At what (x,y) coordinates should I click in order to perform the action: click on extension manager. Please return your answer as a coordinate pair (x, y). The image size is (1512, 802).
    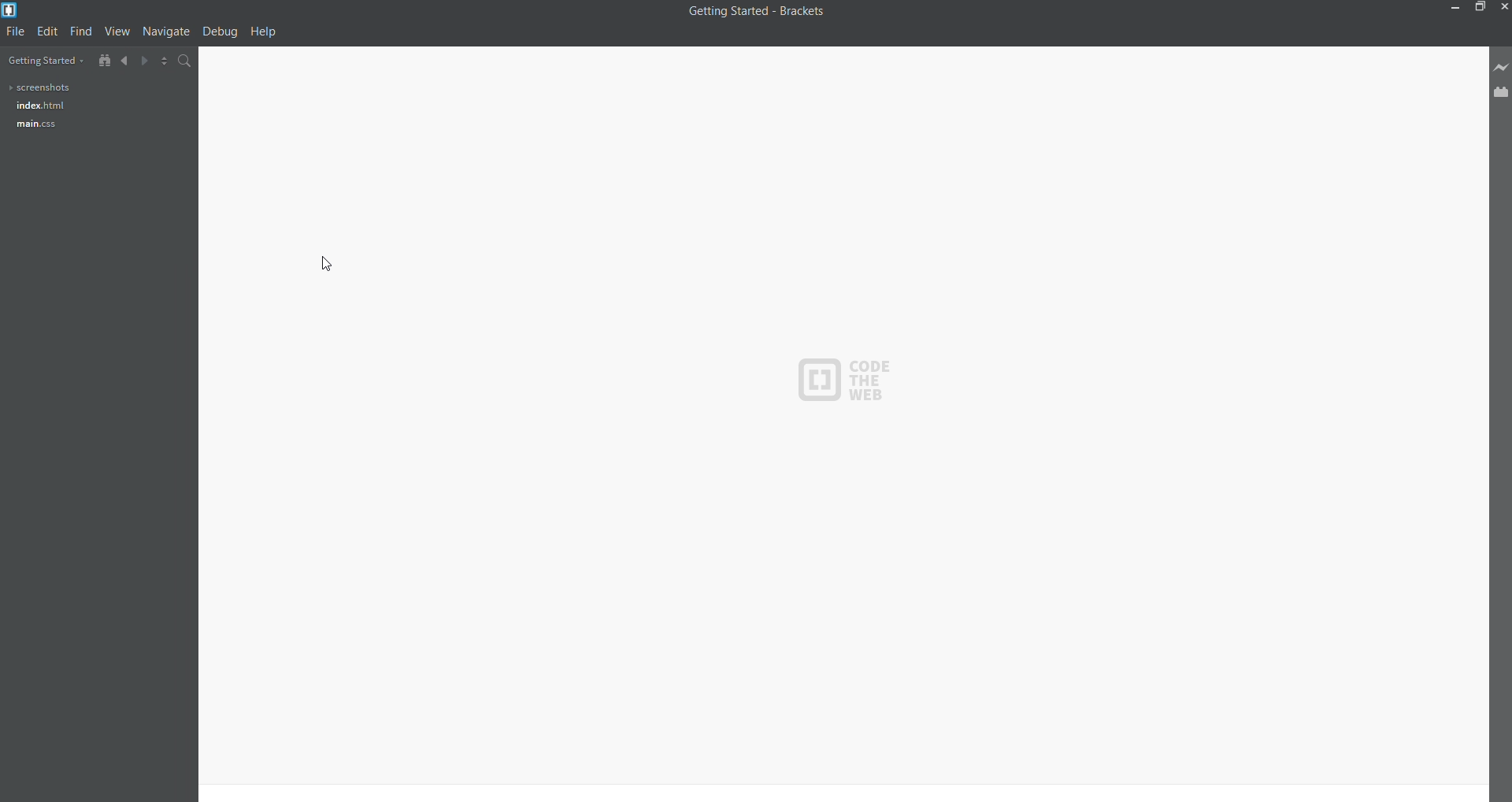
    Looking at the image, I should click on (1501, 92).